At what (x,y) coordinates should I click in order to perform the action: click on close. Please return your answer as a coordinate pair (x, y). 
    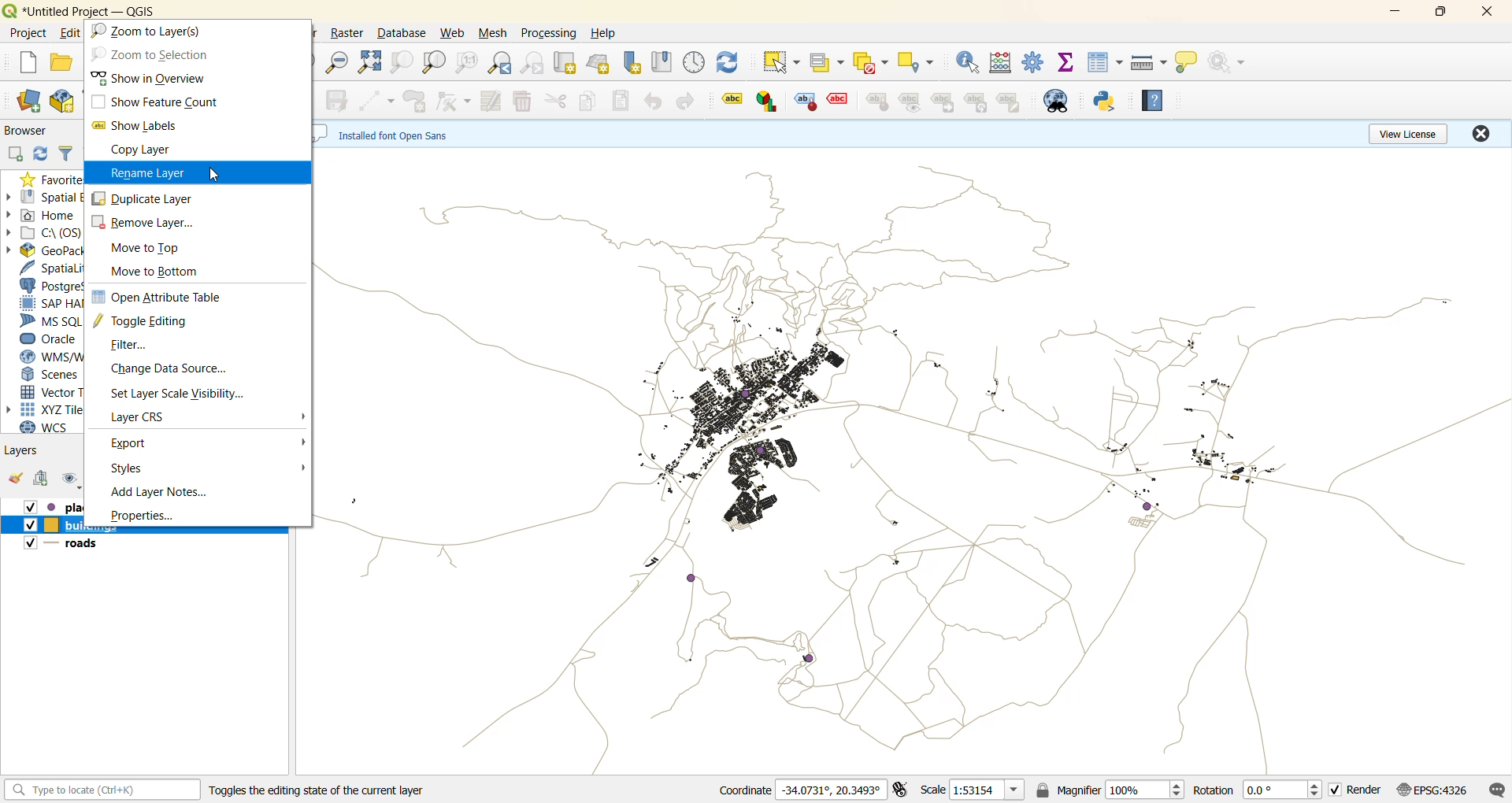
    Looking at the image, I should click on (1479, 132).